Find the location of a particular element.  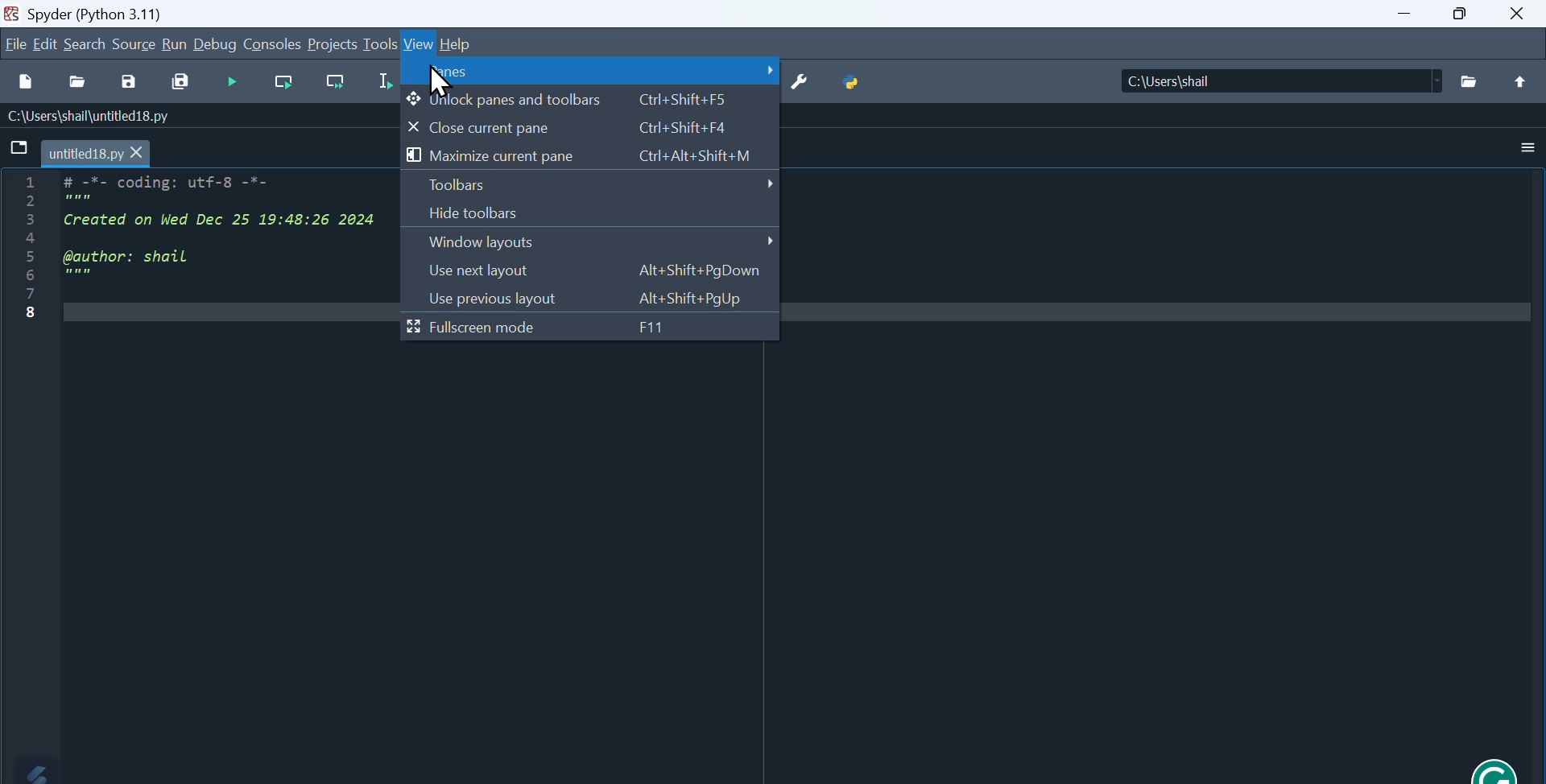

view is located at coordinates (420, 43).